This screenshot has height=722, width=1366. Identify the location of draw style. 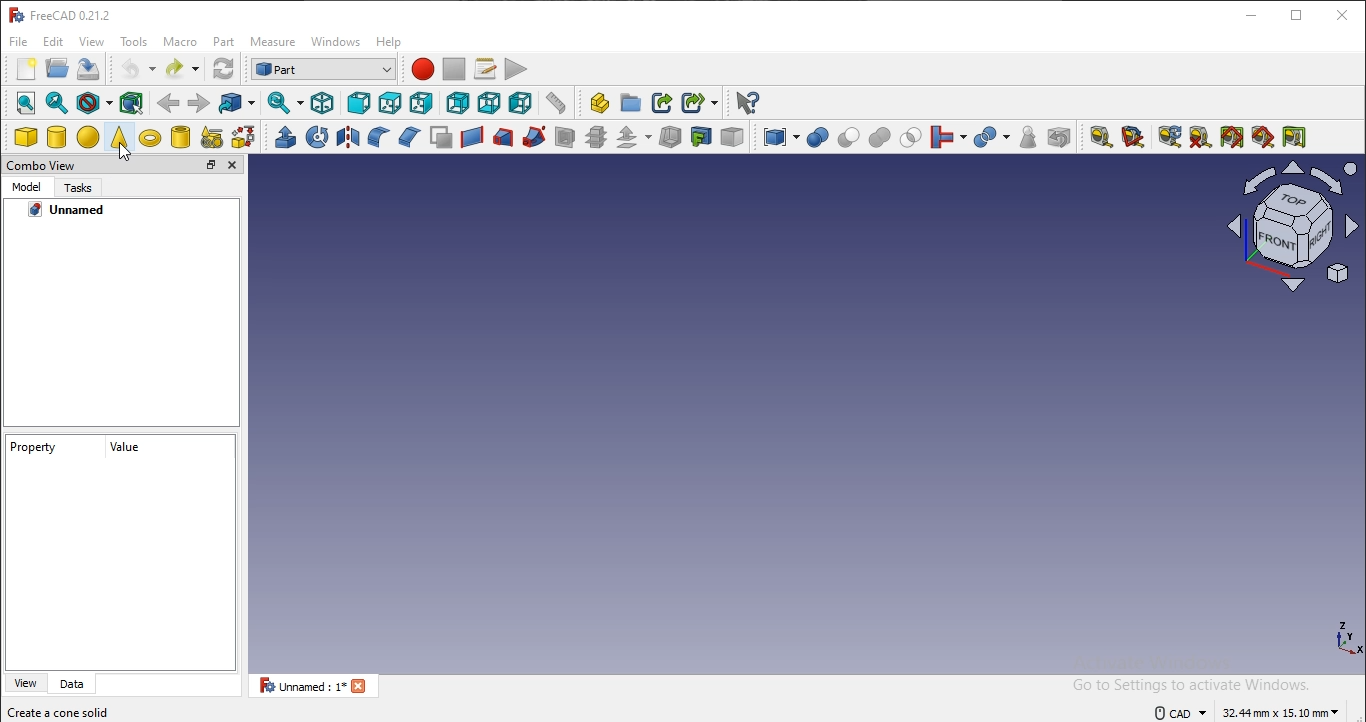
(93, 103).